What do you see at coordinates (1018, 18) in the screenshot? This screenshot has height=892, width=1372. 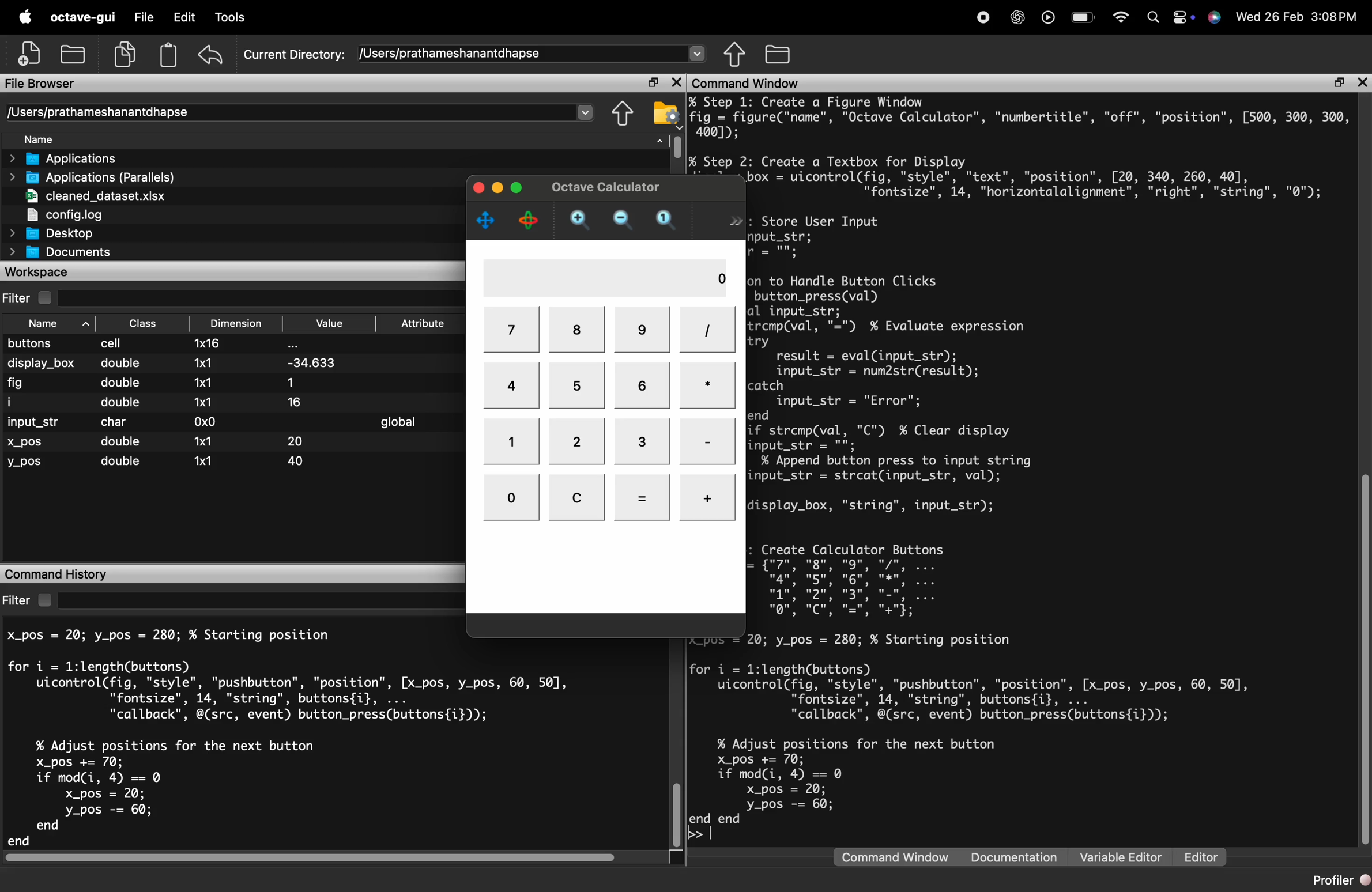 I see `chat gpt` at bounding box center [1018, 18].